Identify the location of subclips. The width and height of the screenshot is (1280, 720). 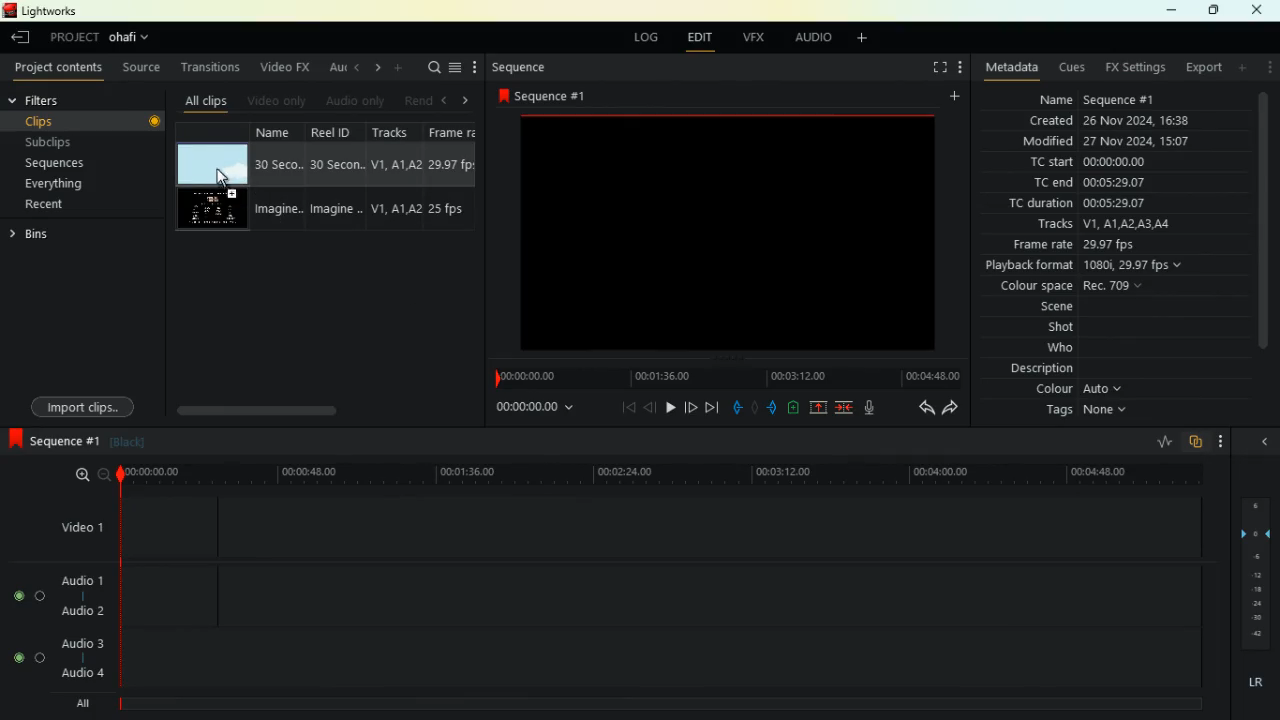
(75, 142).